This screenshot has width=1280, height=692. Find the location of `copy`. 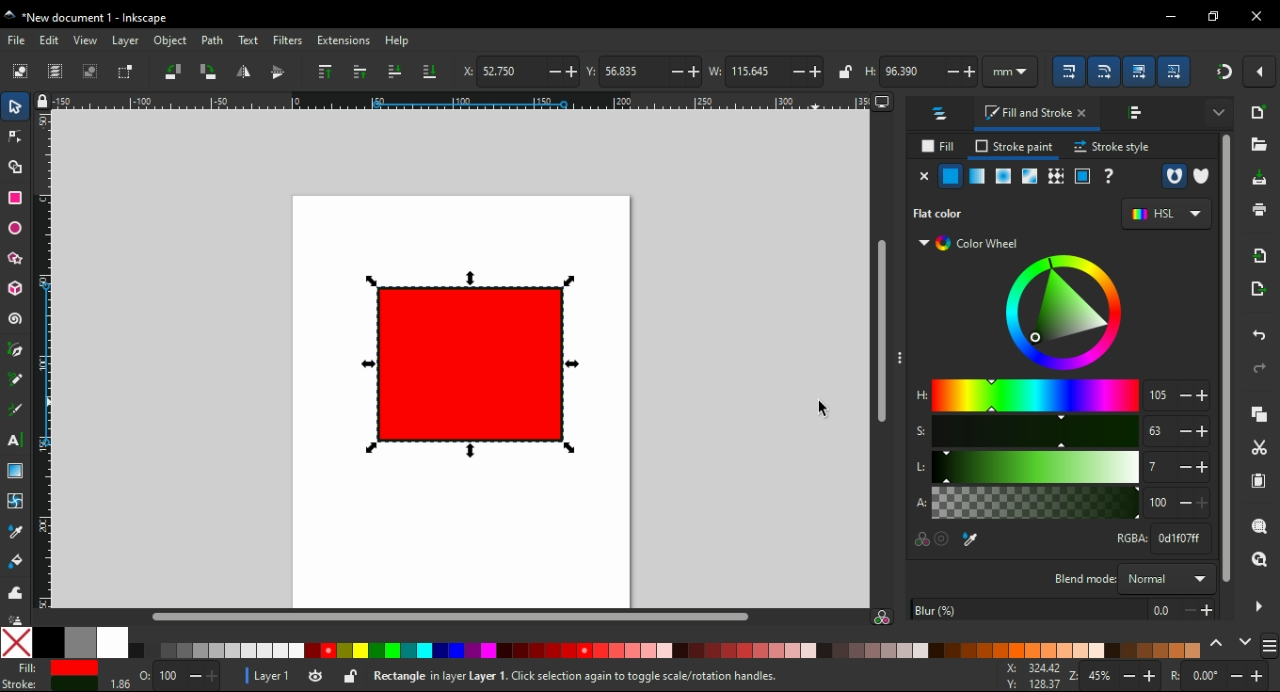

copy is located at coordinates (1256, 413).